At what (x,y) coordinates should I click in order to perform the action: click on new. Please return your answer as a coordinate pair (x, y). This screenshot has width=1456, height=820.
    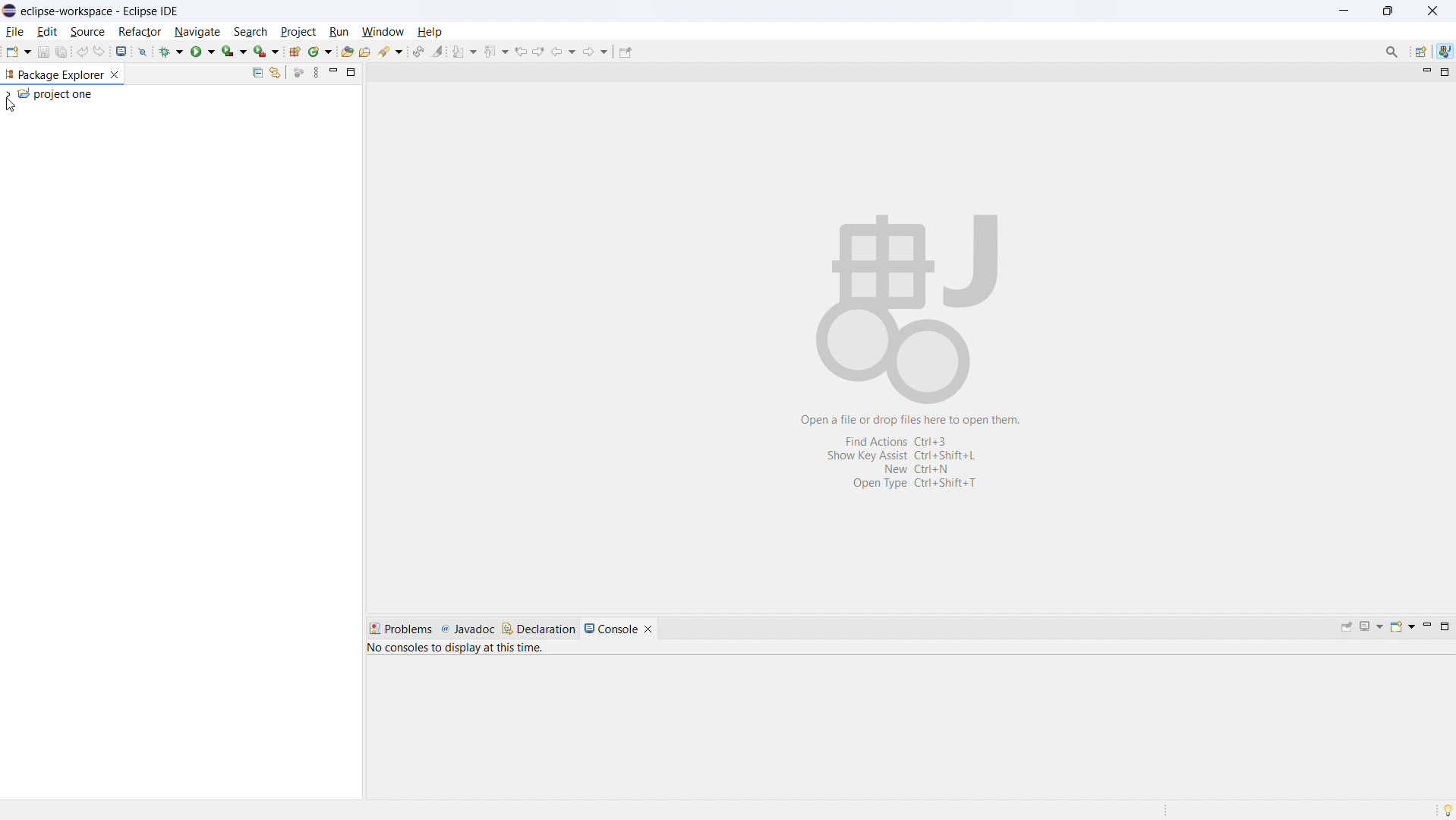
    Looking at the image, I should click on (17, 52).